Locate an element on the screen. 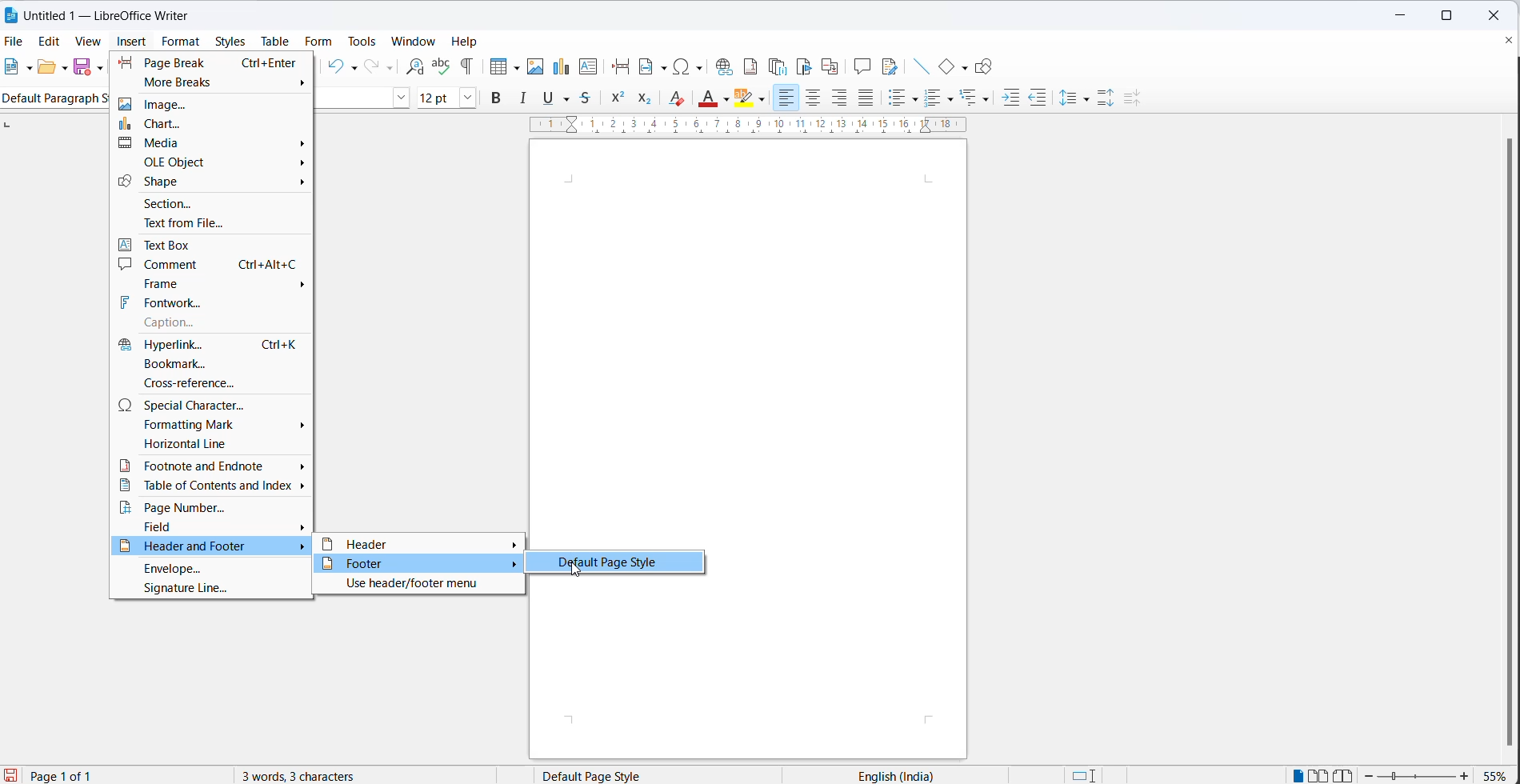  horizontal line is located at coordinates (206, 446).